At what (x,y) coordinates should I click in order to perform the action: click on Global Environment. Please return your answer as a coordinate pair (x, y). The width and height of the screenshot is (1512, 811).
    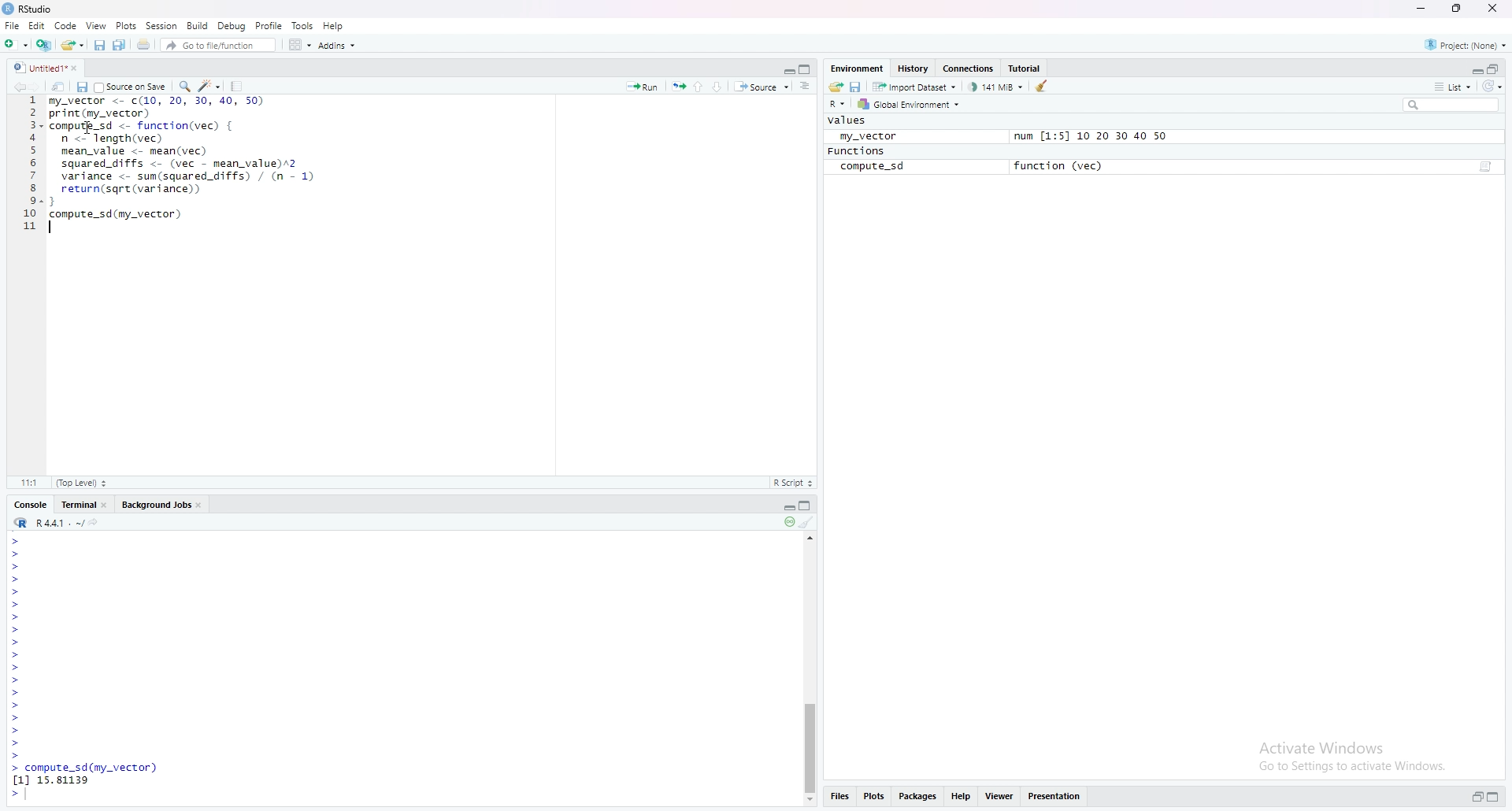
    Looking at the image, I should click on (909, 105).